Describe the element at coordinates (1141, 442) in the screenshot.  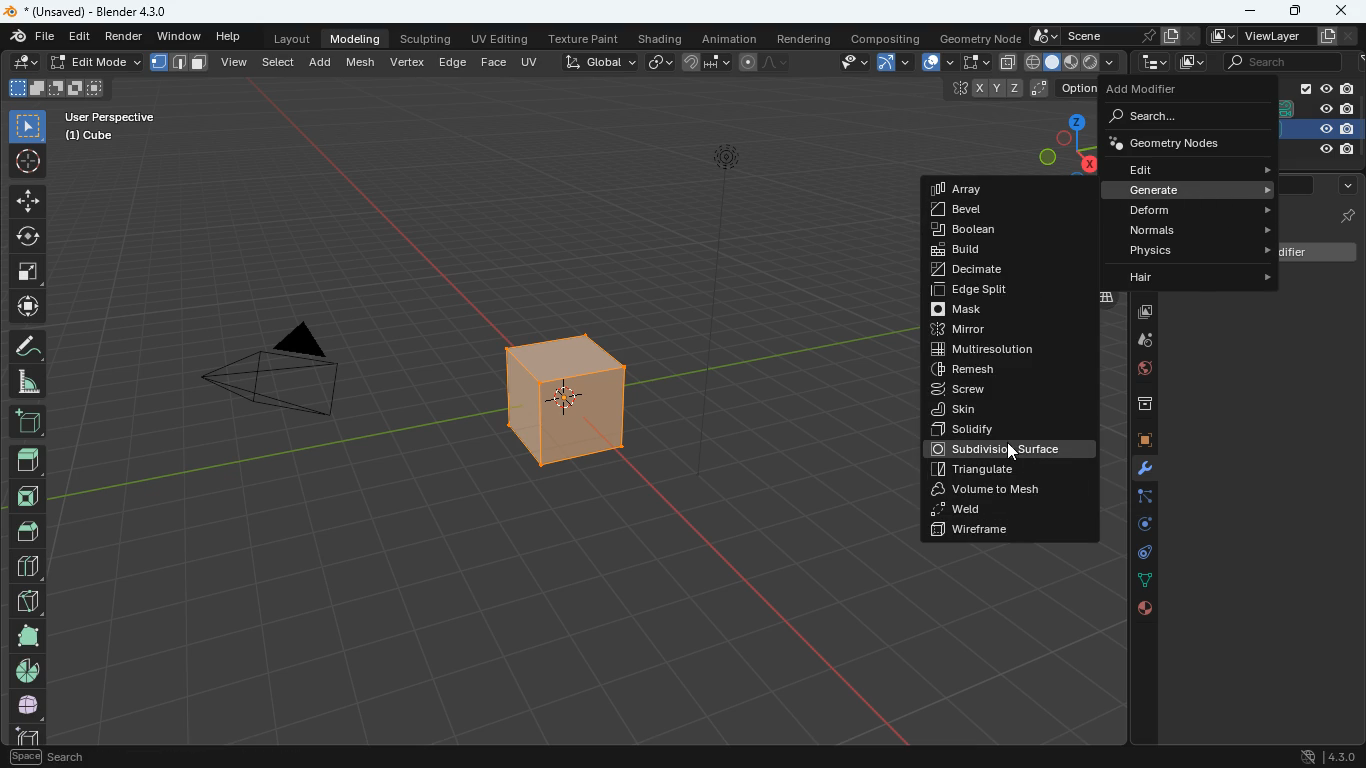
I see `cube` at that location.